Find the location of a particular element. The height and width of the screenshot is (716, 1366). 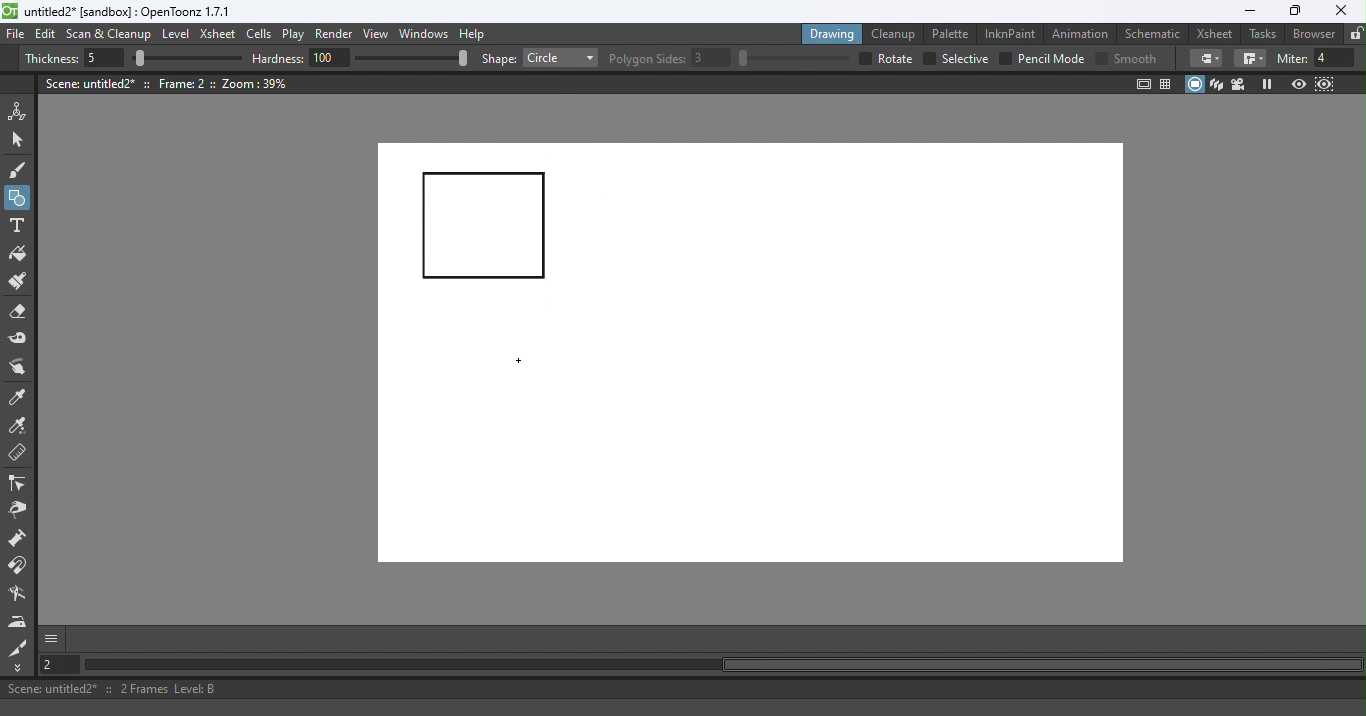

Minimize is located at coordinates (1249, 11).